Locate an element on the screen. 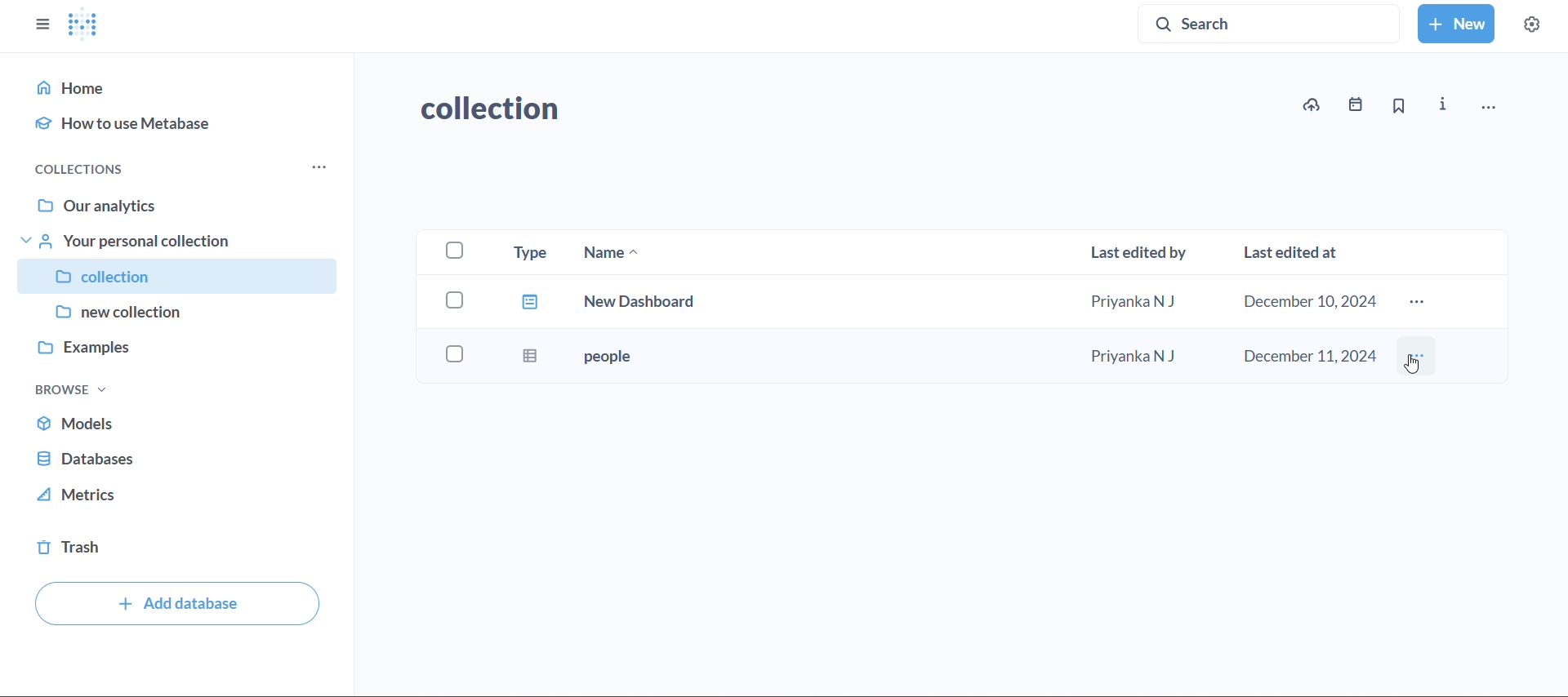 The image size is (1568, 697). search is located at coordinates (1267, 24).